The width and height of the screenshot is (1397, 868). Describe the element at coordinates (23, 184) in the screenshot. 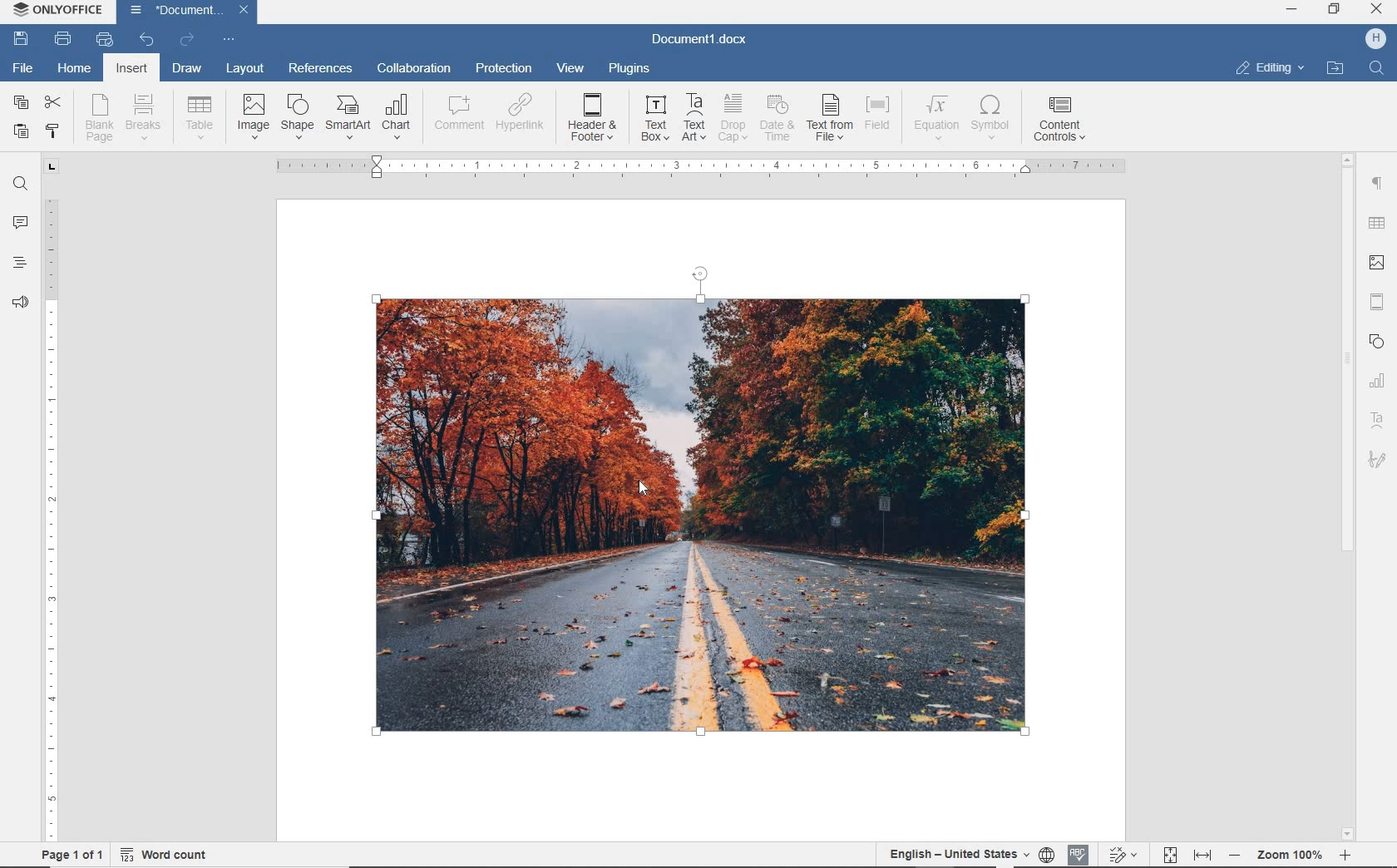

I see `find and replace` at that location.